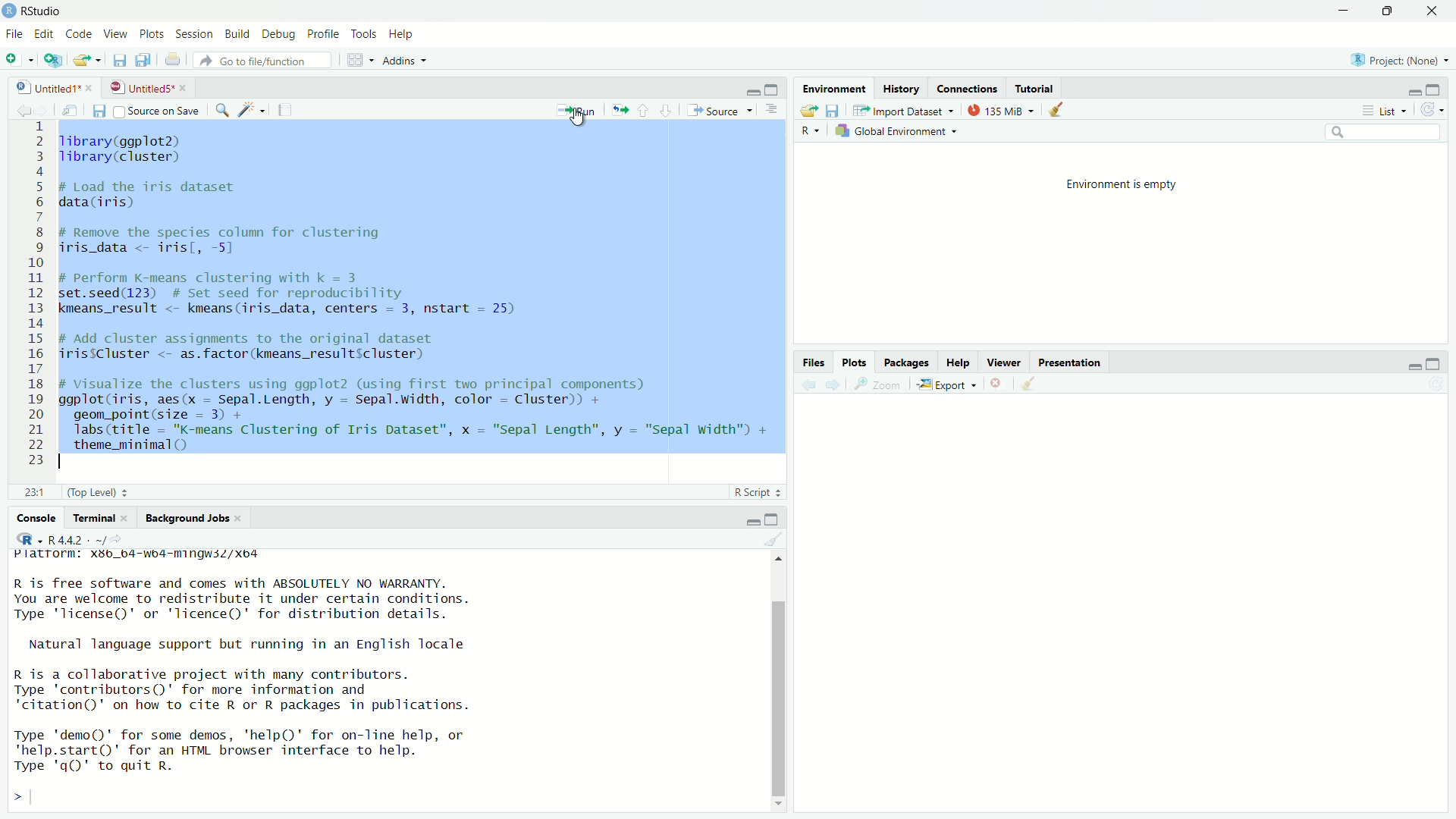  Describe the element at coordinates (853, 362) in the screenshot. I see `plots` at that location.